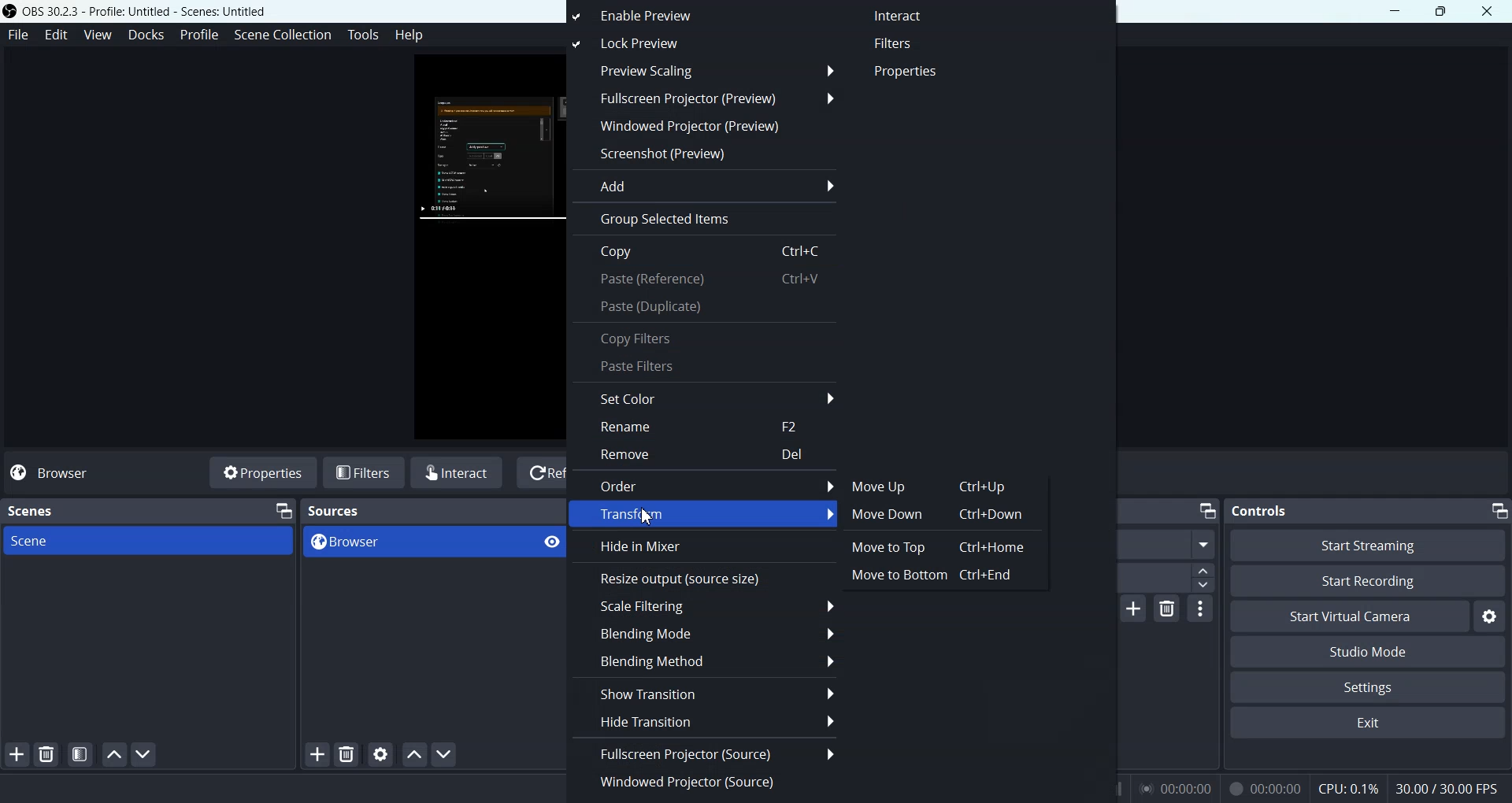 The height and width of the screenshot is (803, 1512). What do you see at coordinates (101, 34) in the screenshot?
I see `View` at bounding box center [101, 34].